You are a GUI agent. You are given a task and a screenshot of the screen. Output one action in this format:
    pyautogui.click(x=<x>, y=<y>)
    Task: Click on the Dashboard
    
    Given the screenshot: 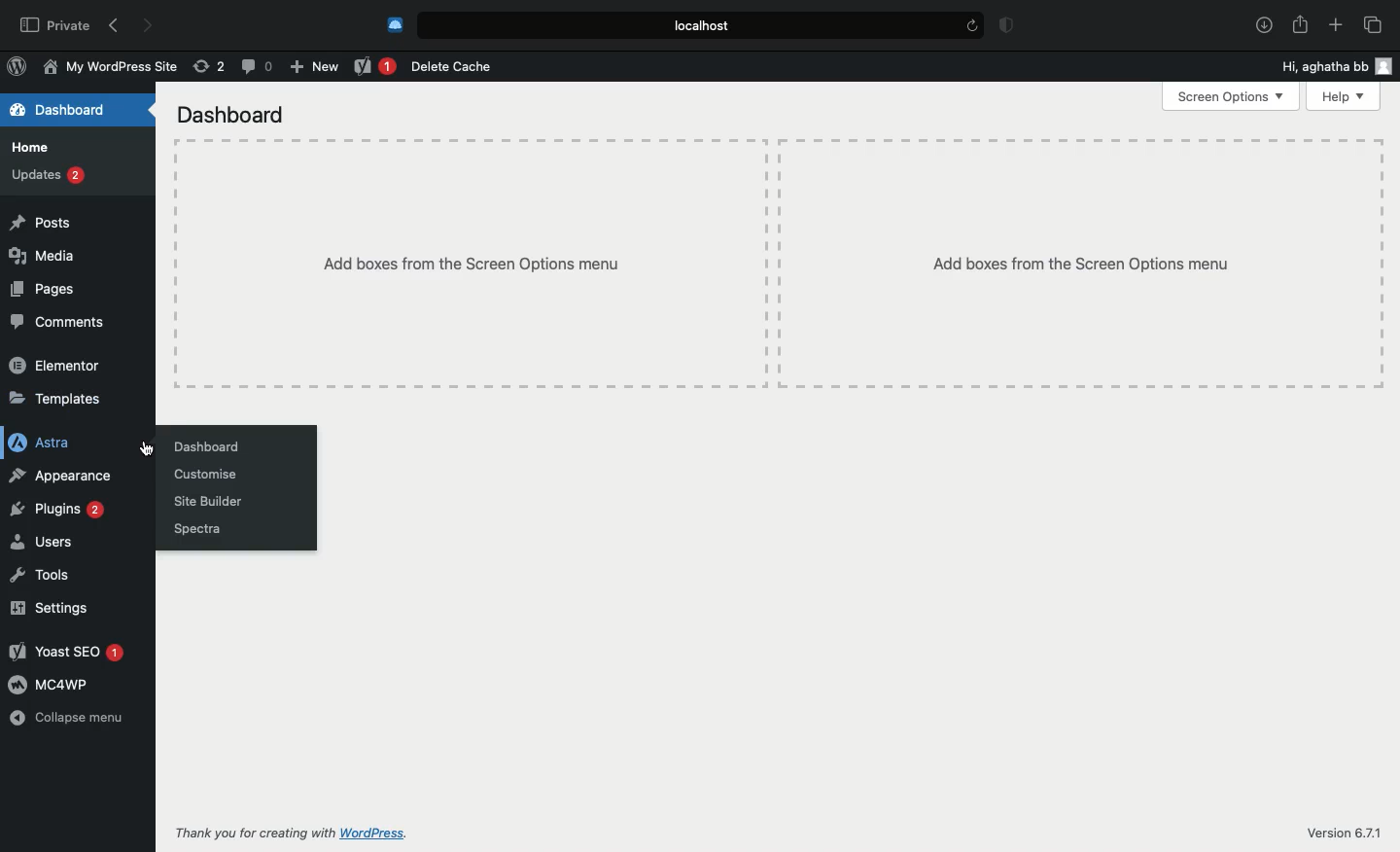 What is the action you would take?
    pyautogui.click(x=208, y=447)
    